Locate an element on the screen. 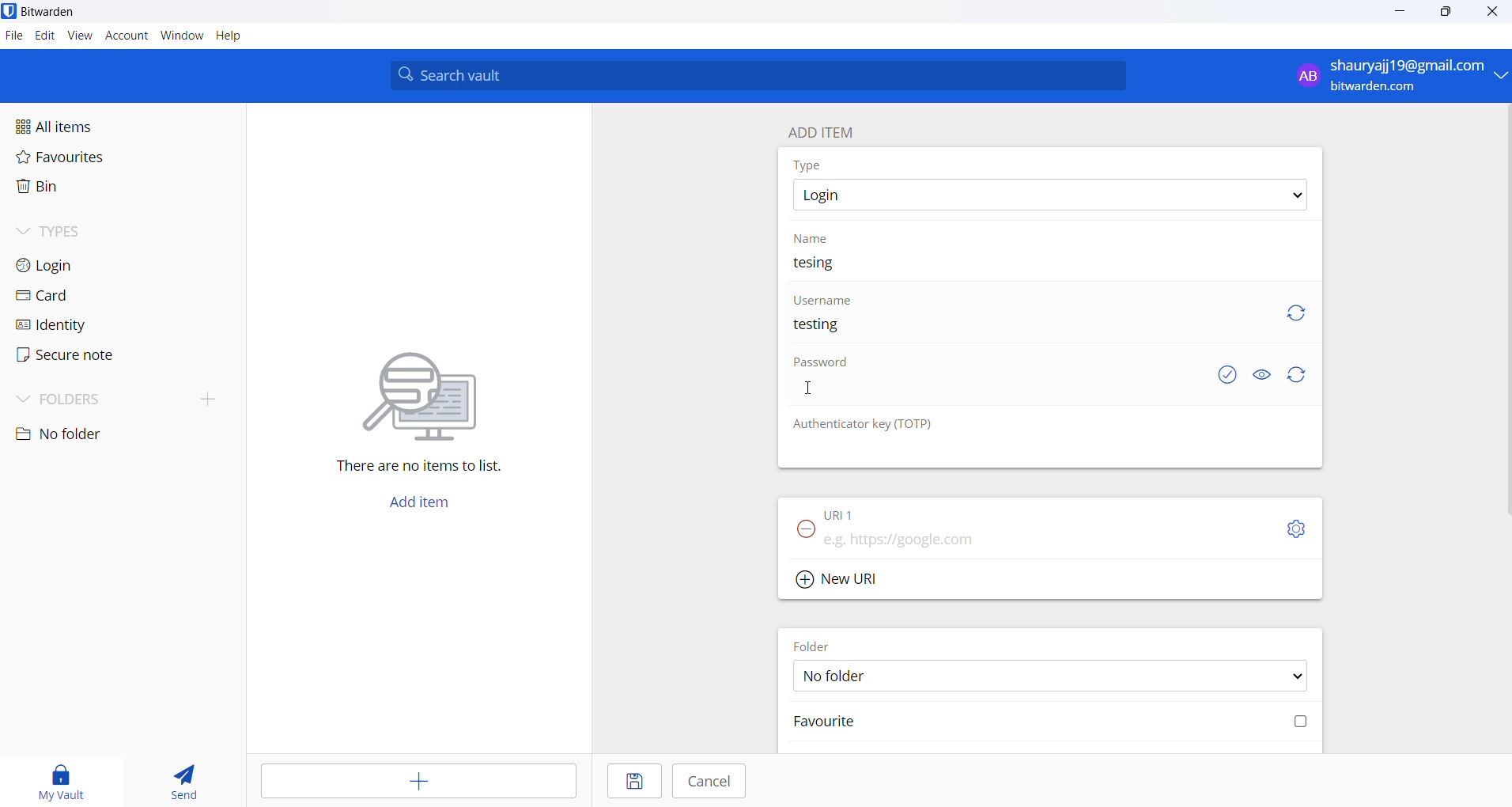  File is located at coordinates (13, 36).